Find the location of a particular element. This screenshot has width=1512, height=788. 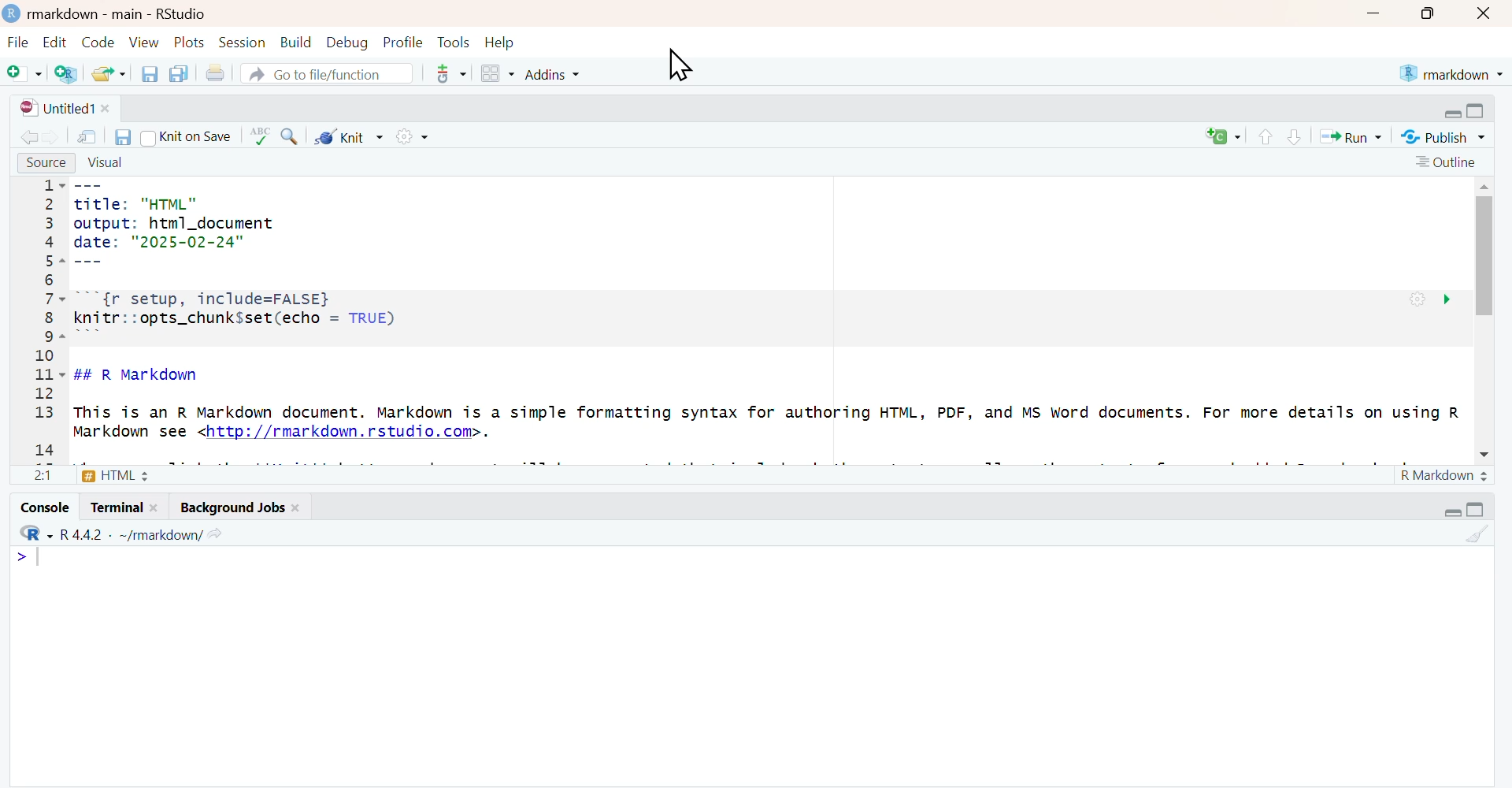

title: "HTML" output: html_document date: "2025-02-24" is located at coordinates (177, 224).